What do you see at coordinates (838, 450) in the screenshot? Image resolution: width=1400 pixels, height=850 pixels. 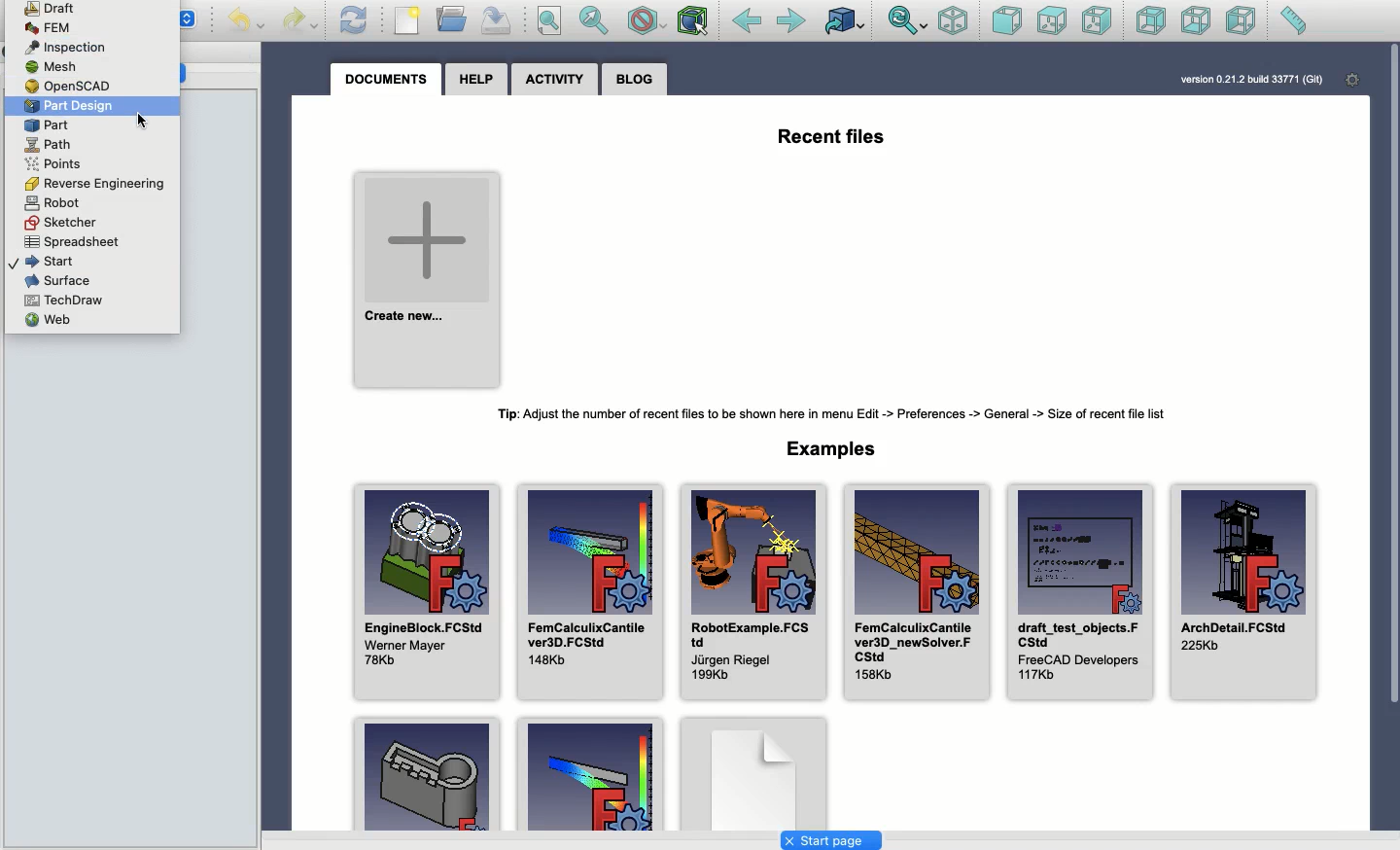 I see `Examples` at bounding box center [838, 450].